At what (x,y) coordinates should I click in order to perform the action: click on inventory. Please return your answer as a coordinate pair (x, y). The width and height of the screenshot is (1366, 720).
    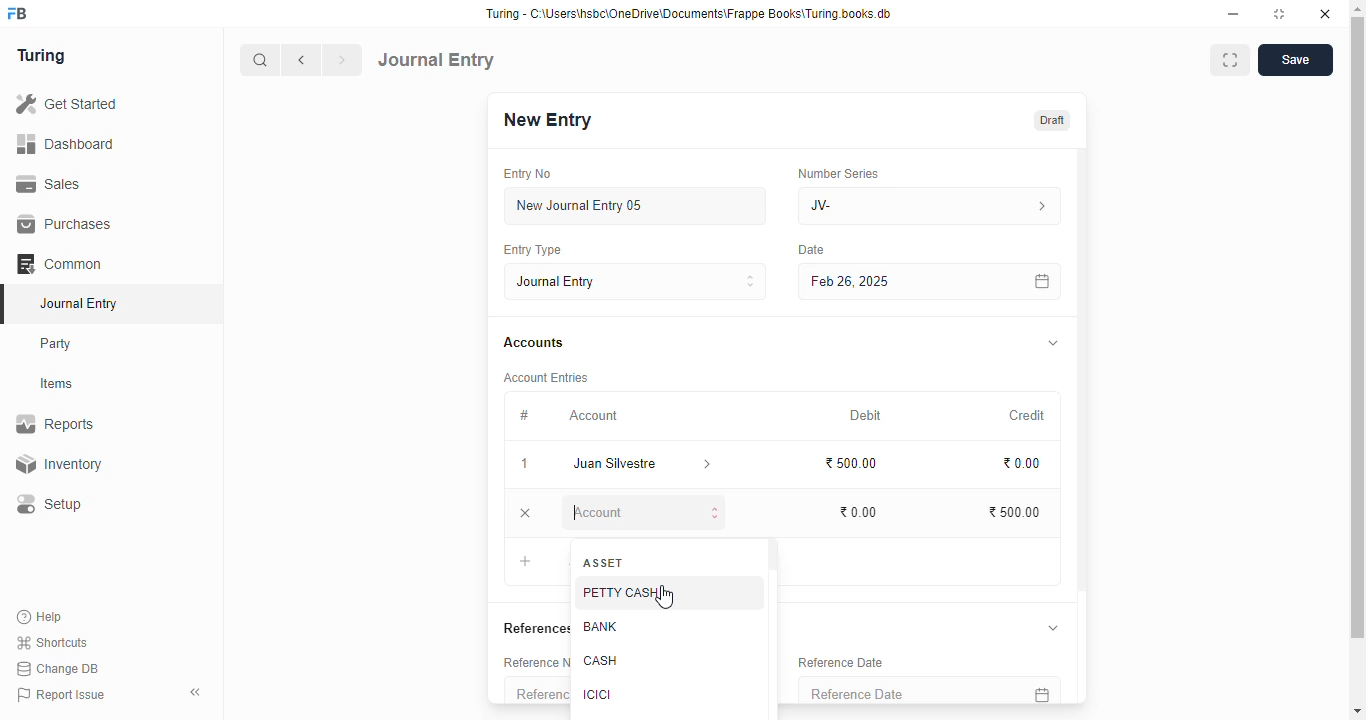
    Looking at the image, I should click on (58, 464).